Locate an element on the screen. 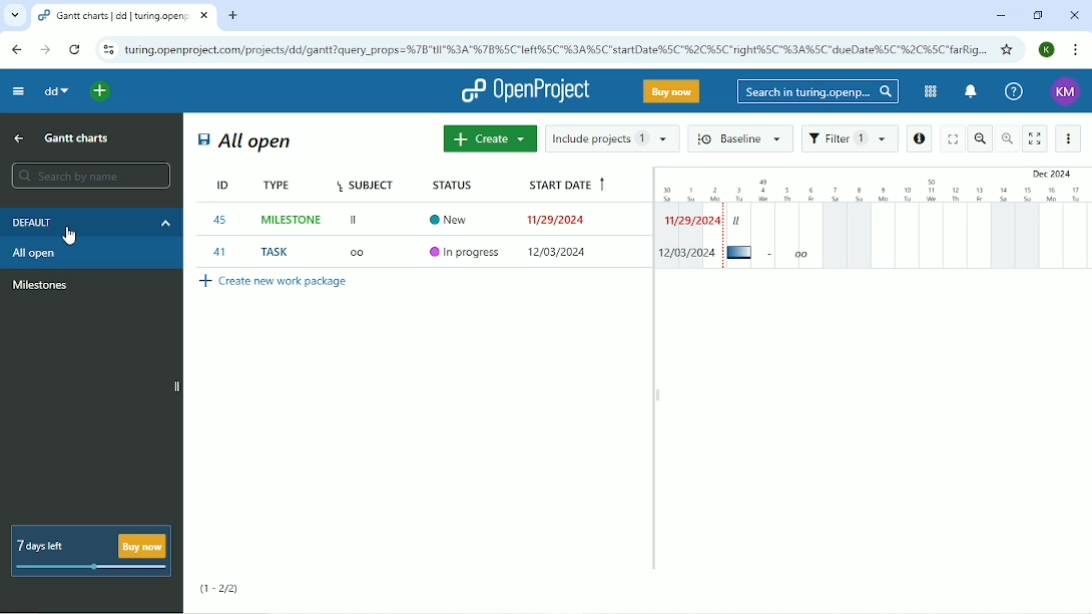 The height and width of the screenshot is (614, 1092). Zoom Out is located at coordinates (982, 138).